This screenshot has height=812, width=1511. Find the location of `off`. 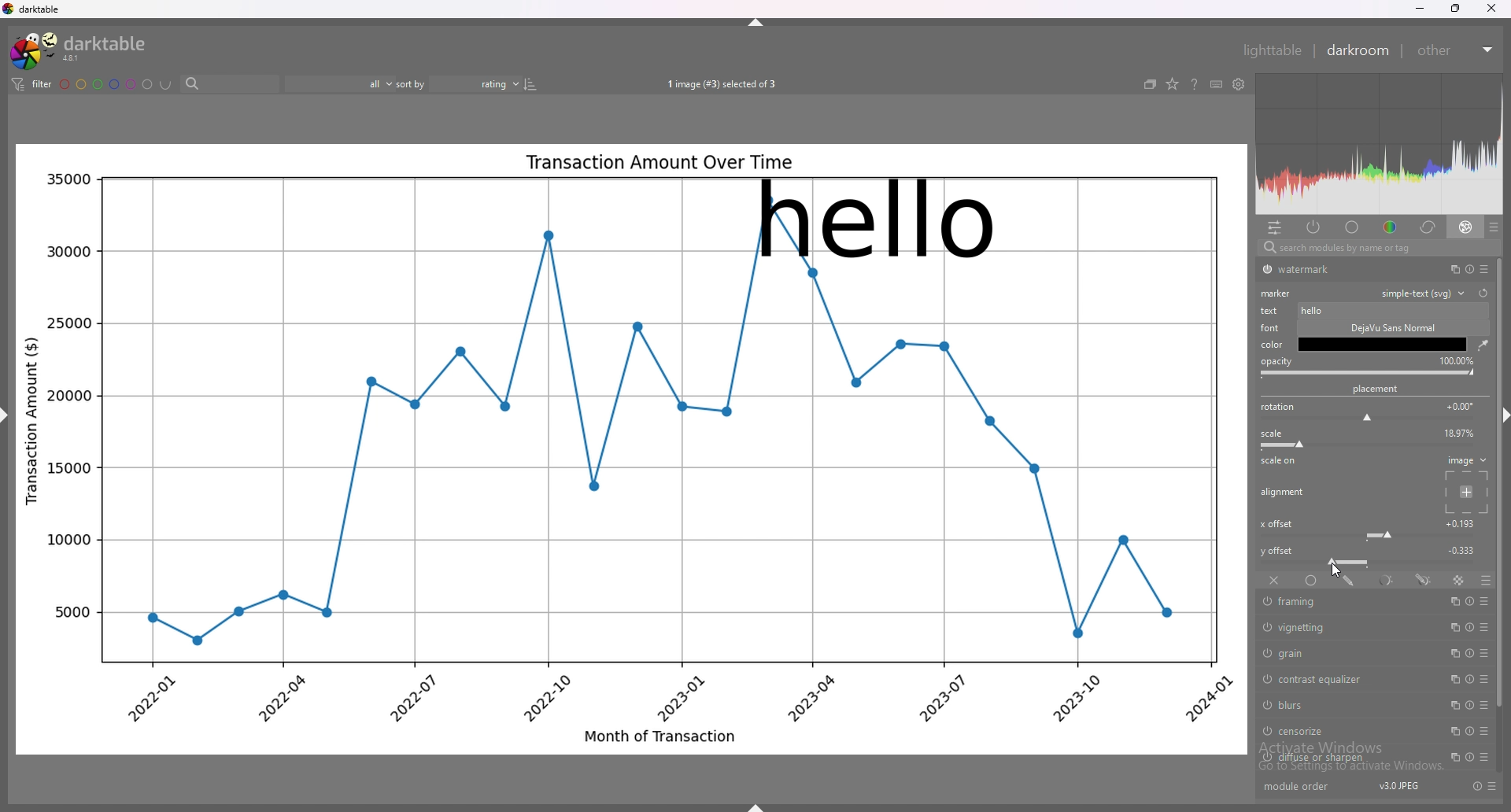

off is located at coordinates (1273, 581).